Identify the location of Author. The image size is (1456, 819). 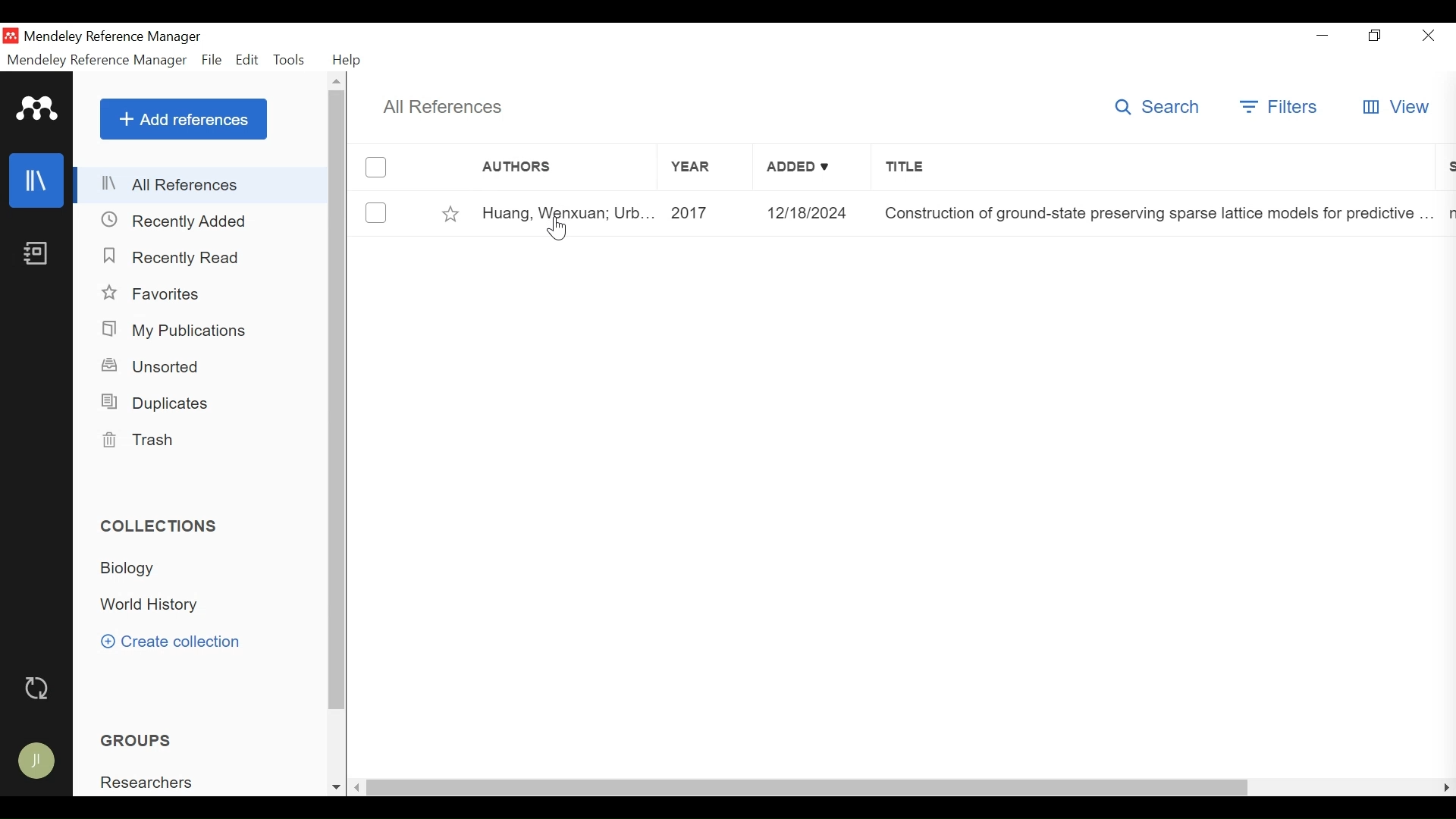
(567, 168).